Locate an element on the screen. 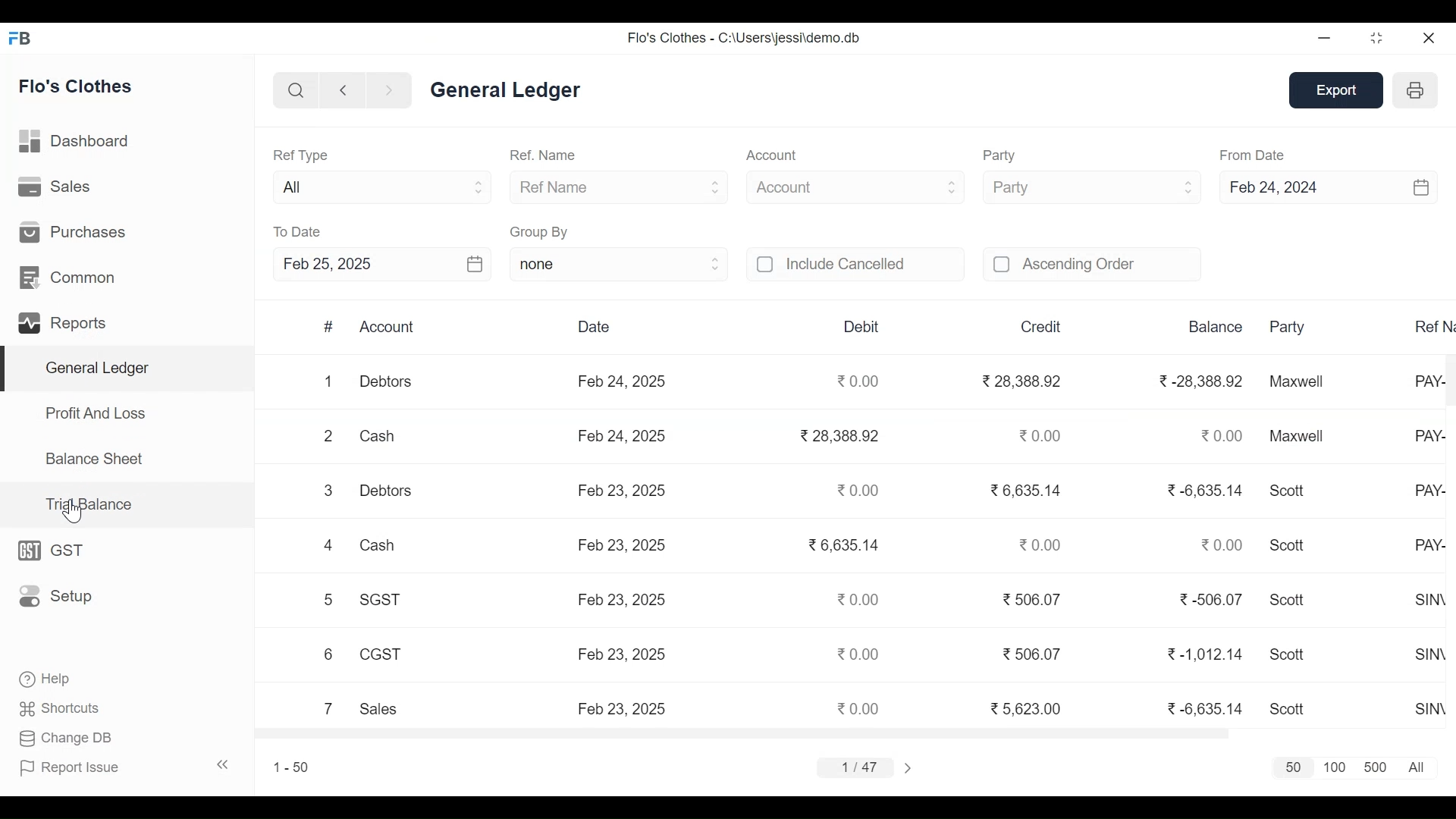 The image size is (1456, 819). Scott is located at coordinates (1286, 709).